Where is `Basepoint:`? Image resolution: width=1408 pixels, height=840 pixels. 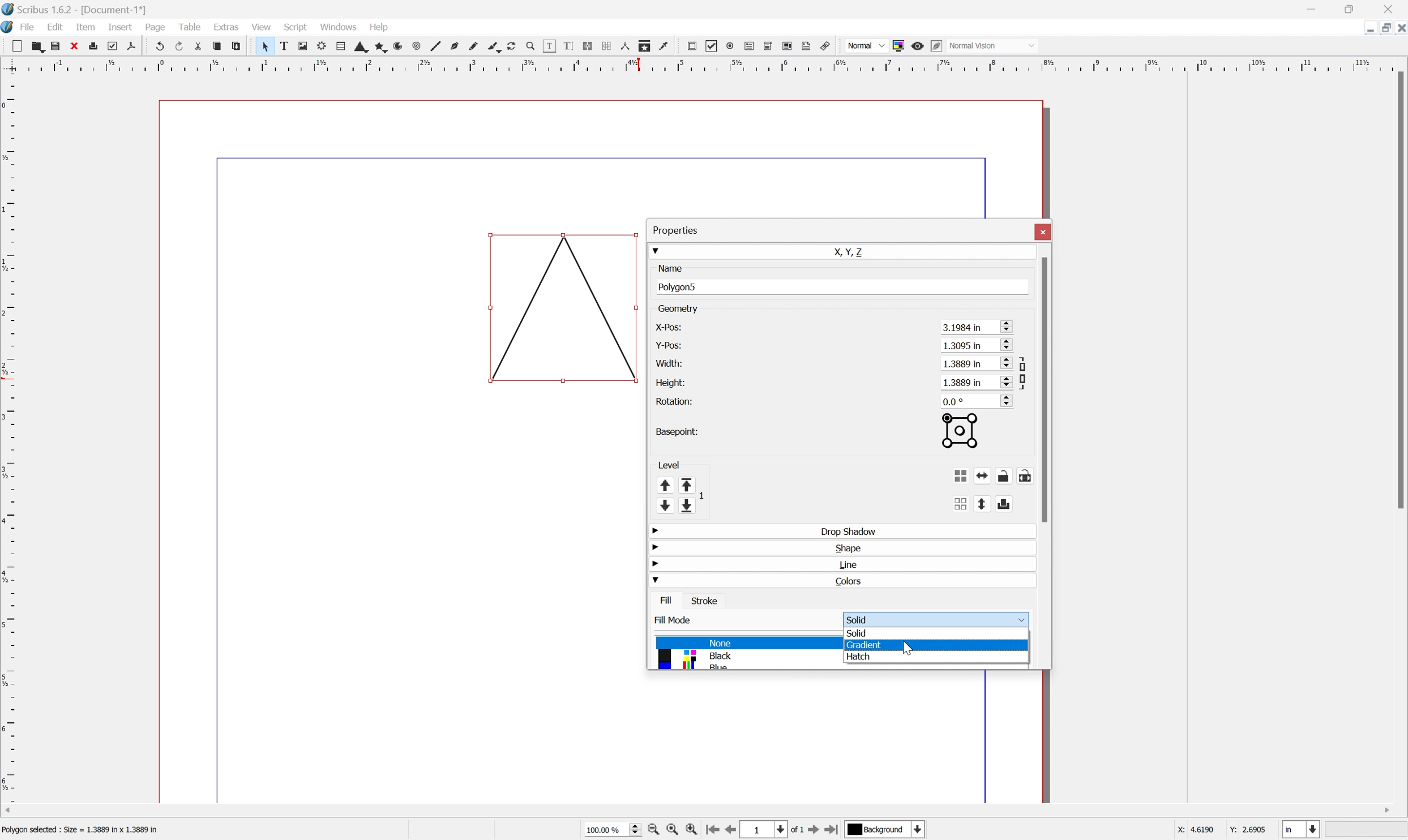 Basepoint: is located at coordinates (675, 431).